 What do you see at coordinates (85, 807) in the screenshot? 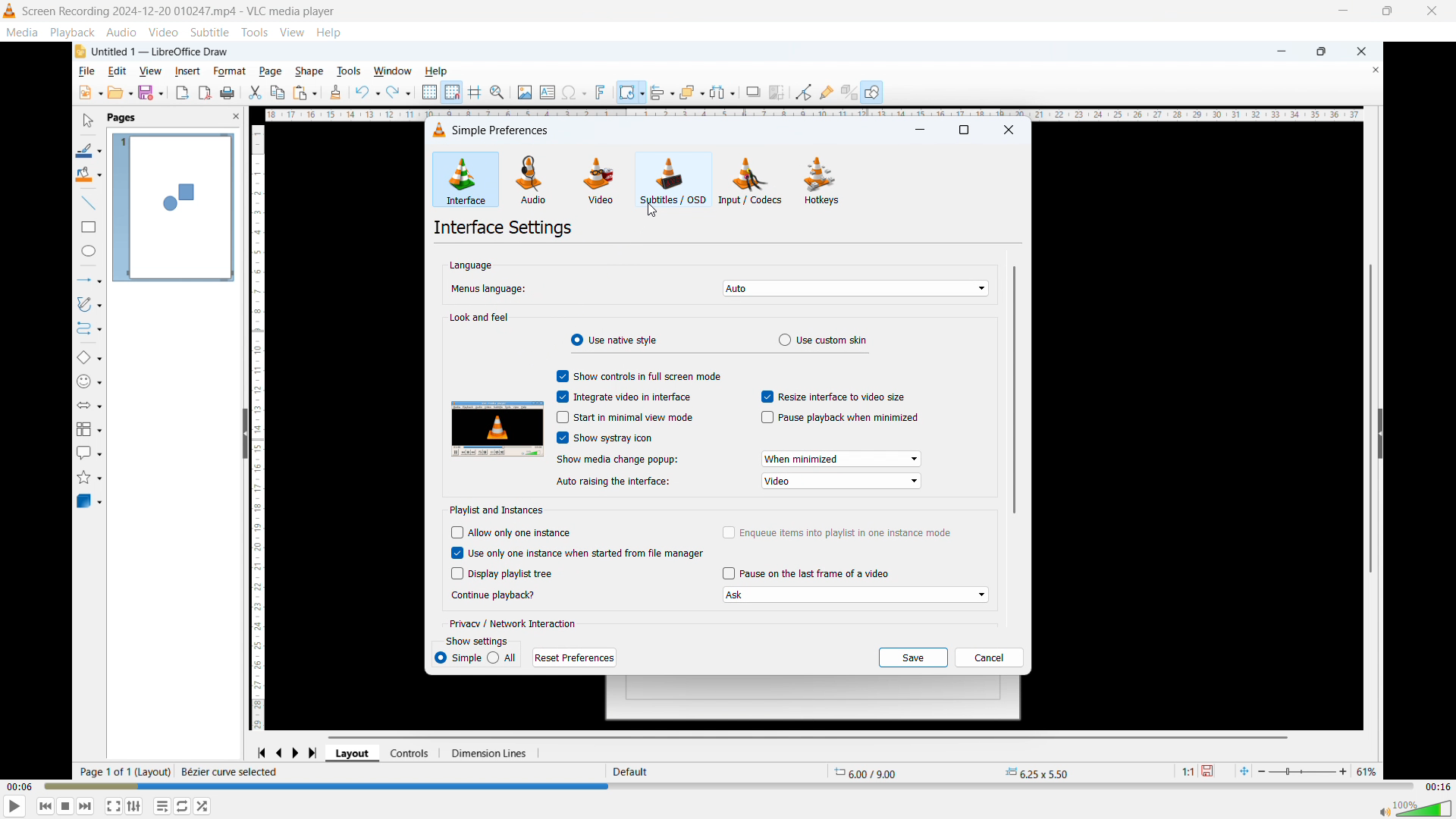
I see `Forward or next media ` at bounding box center [85, 807].